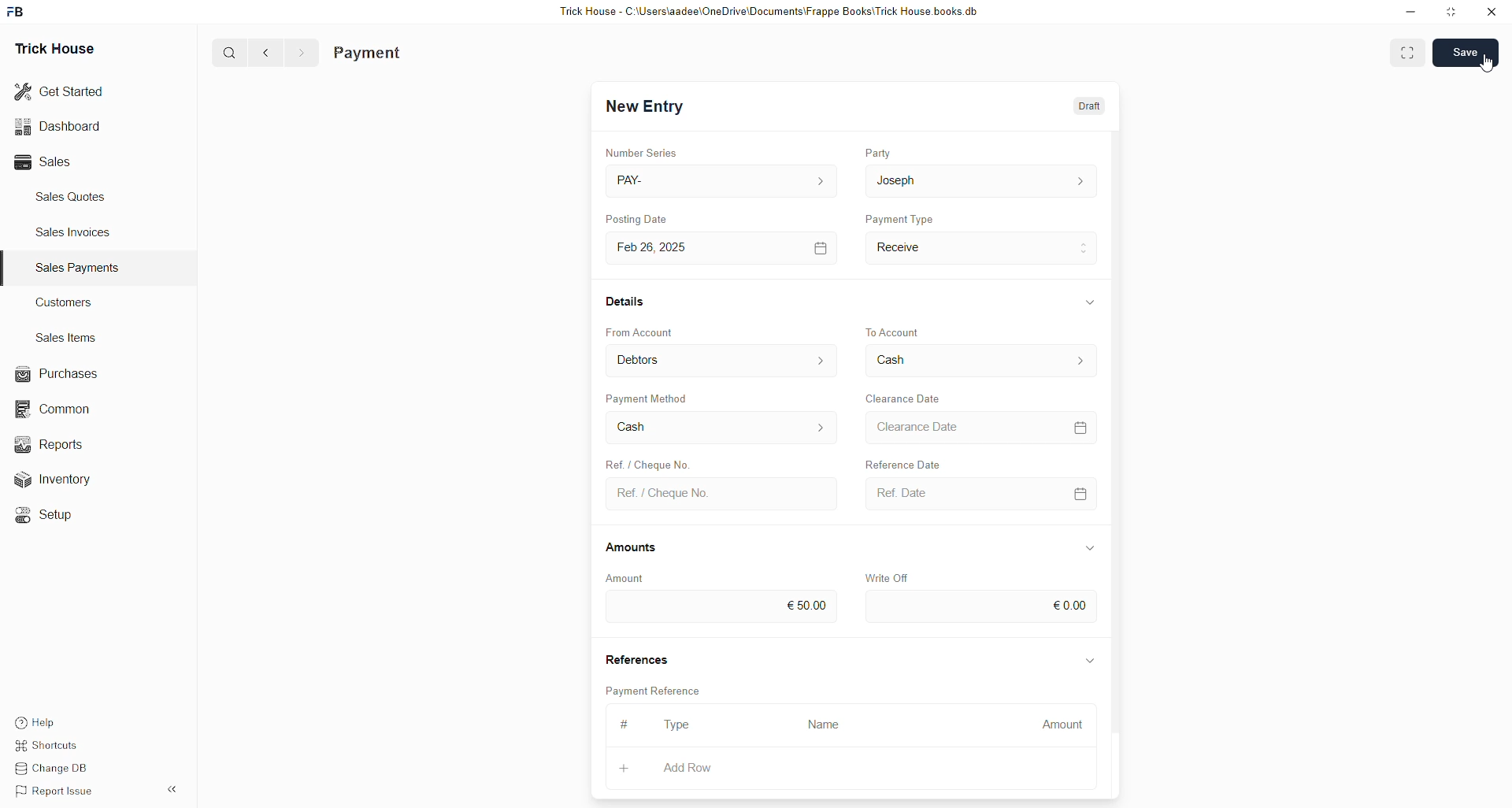  I want to click on Payment Type, so click(982, 249).